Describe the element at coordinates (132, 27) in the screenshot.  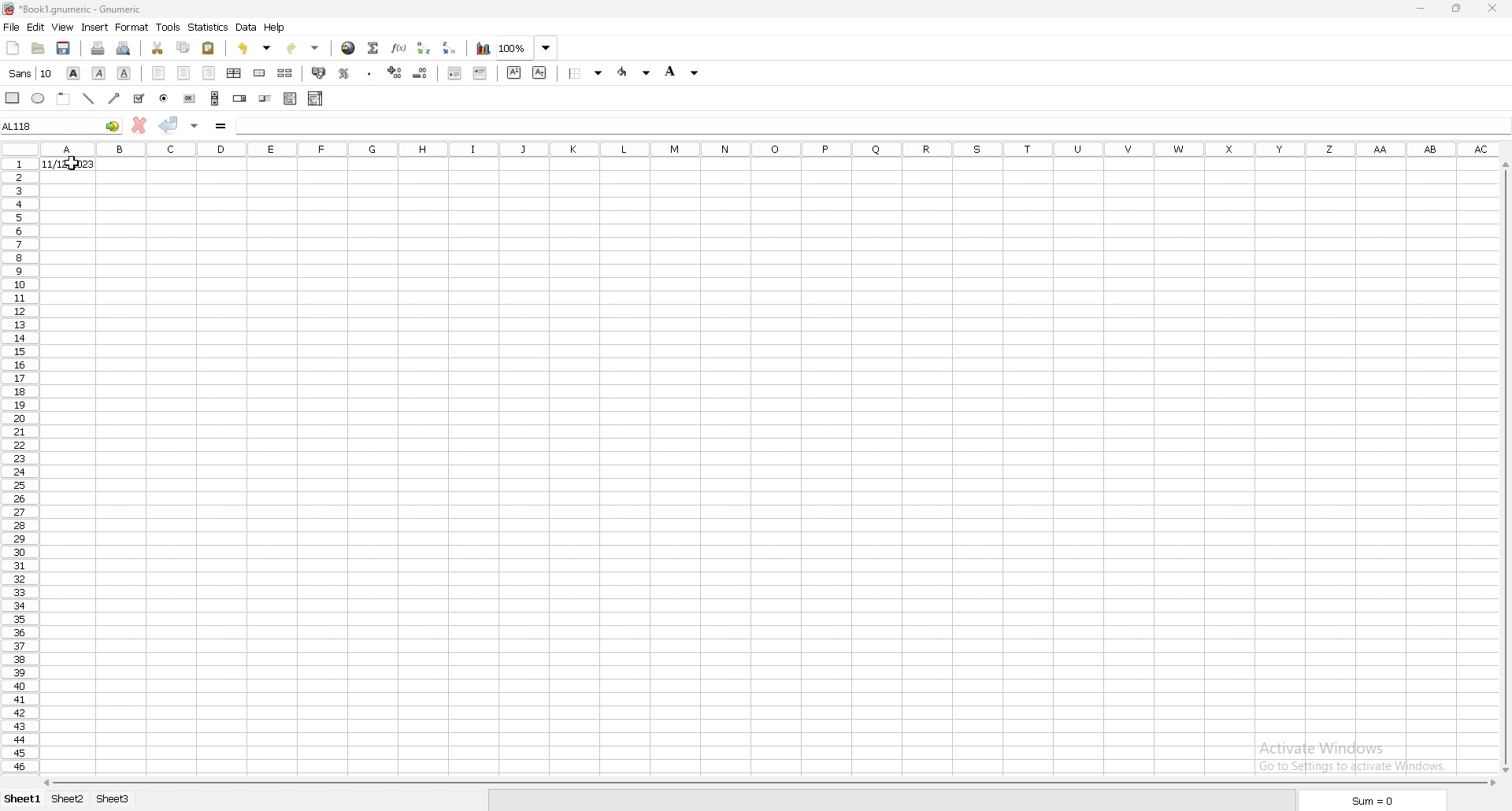
I see `format` at that location.